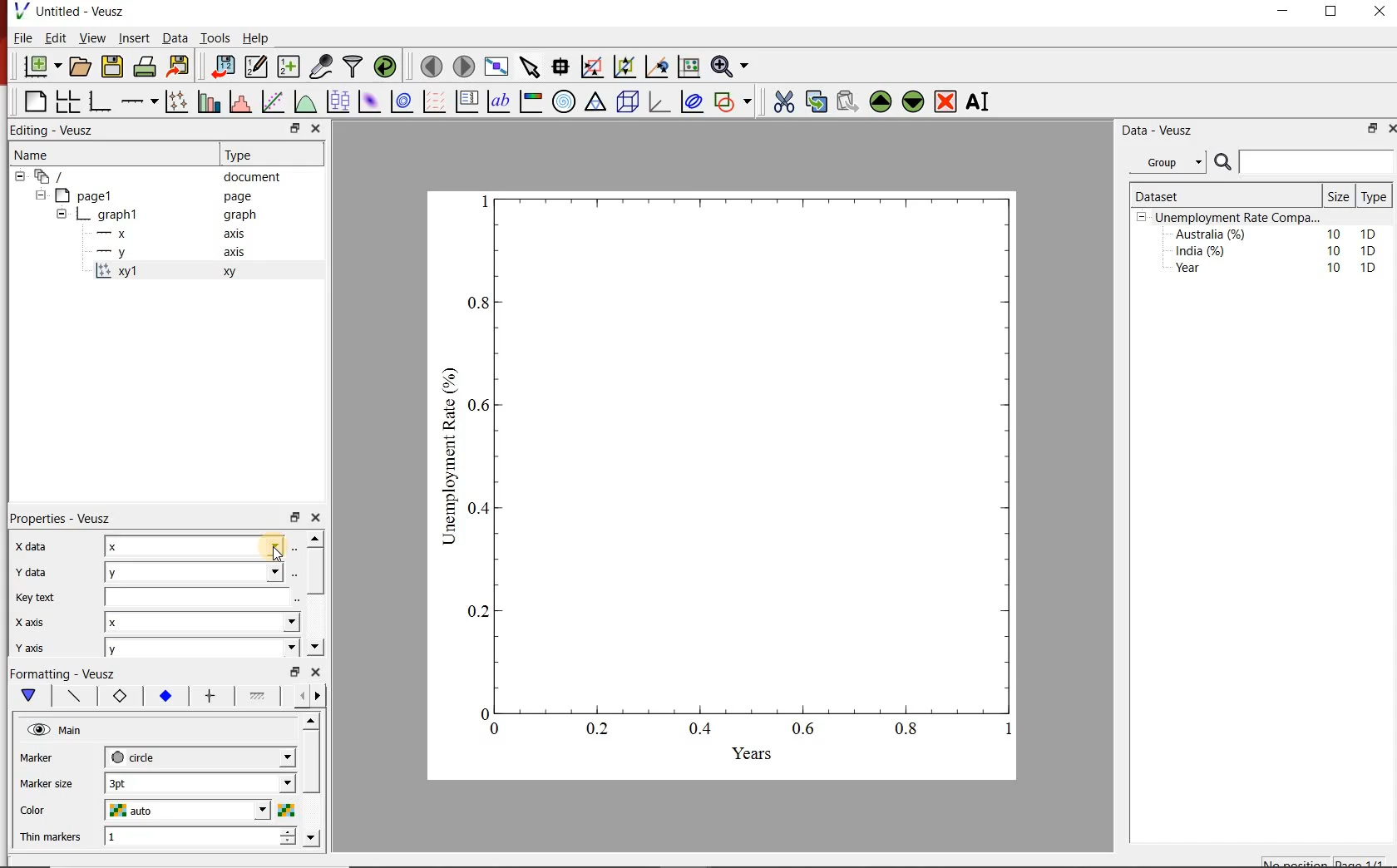  Describe the element at coordinates (180, 253) in the screenshot. I see `y axis` at that location.